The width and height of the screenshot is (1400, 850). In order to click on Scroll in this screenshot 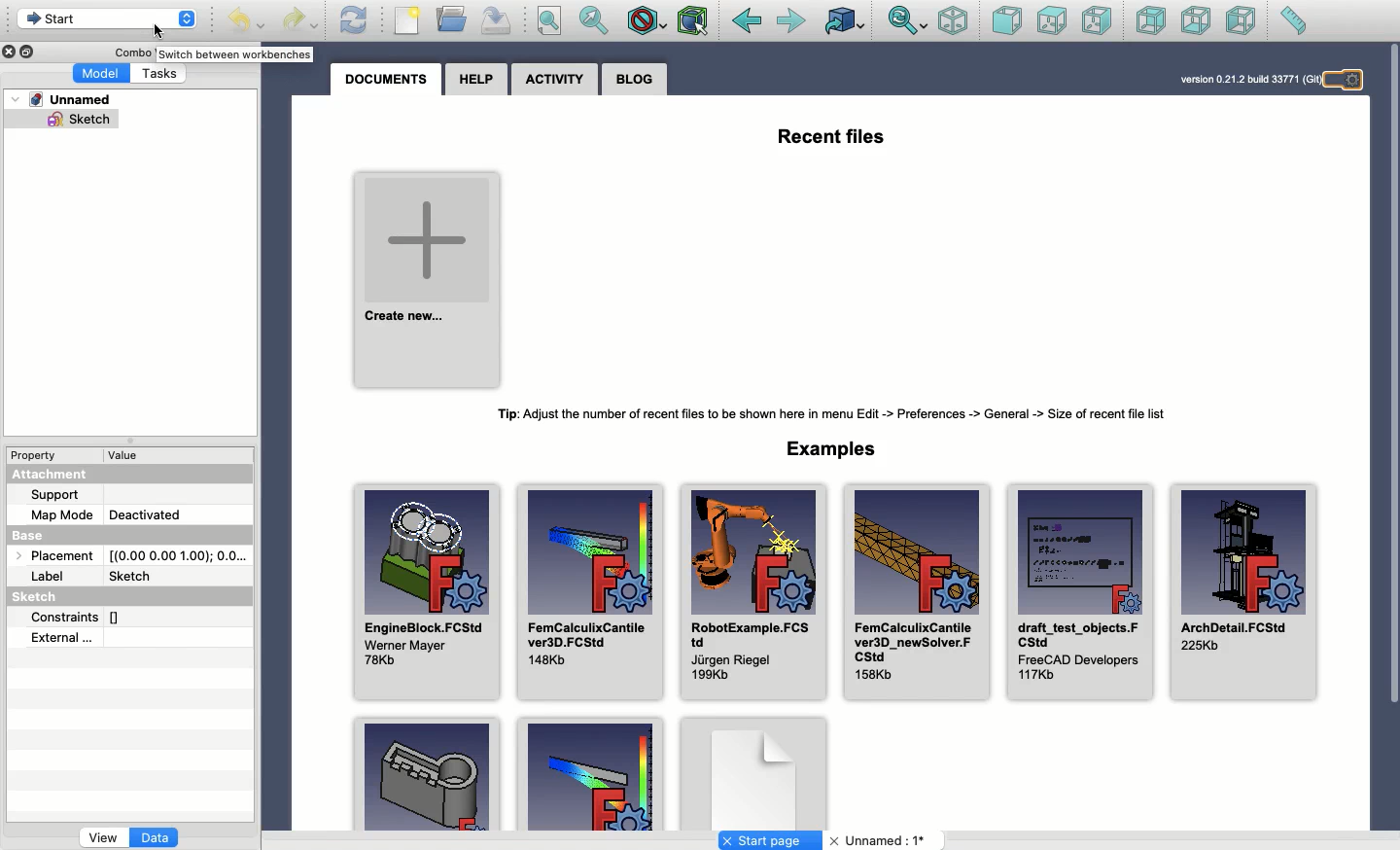, I will do `click(1391, 438)`.